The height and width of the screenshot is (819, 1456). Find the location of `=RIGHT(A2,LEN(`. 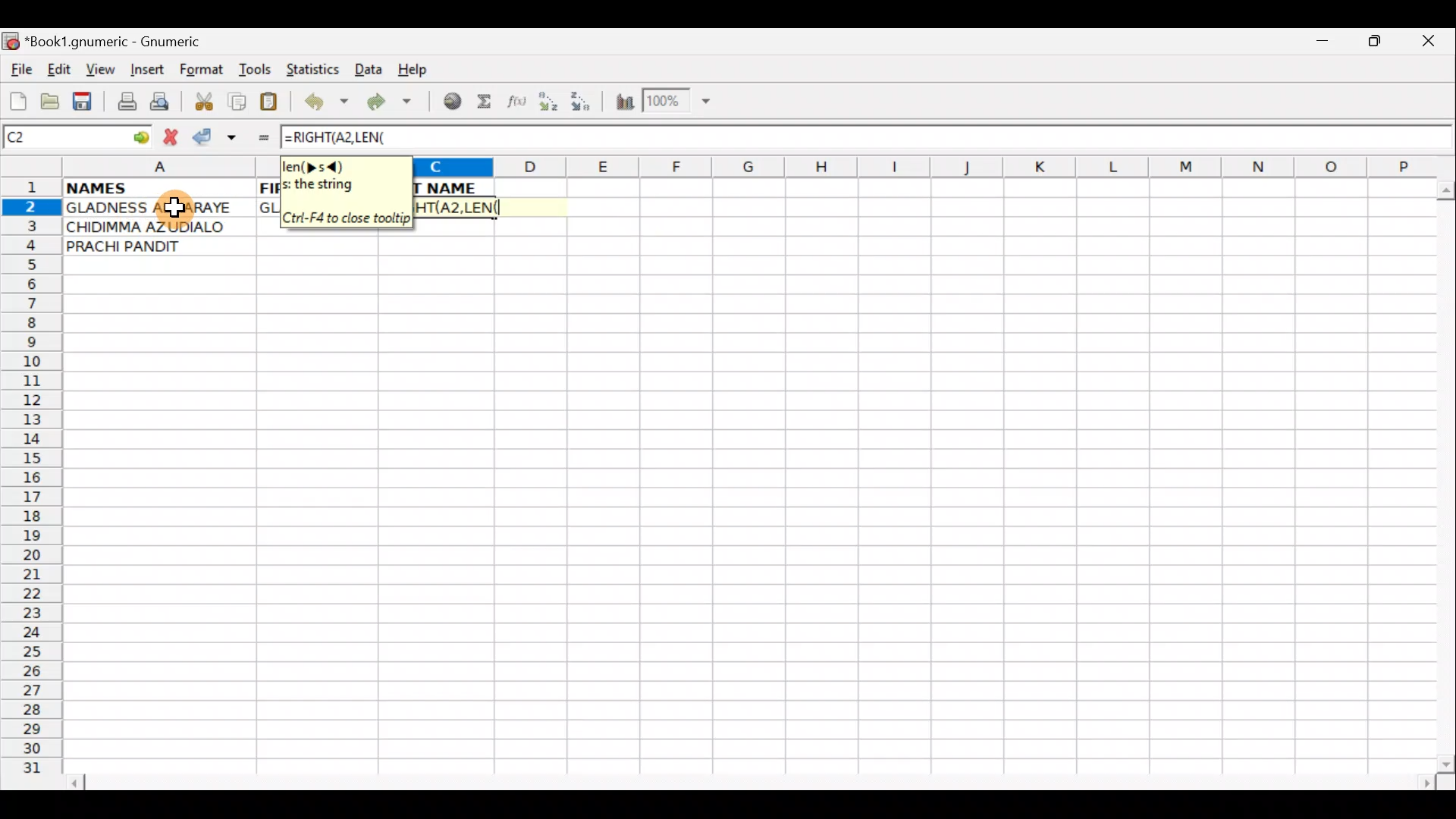

=RIGHT(A2,LEN( is located at coordinates (456, 208).